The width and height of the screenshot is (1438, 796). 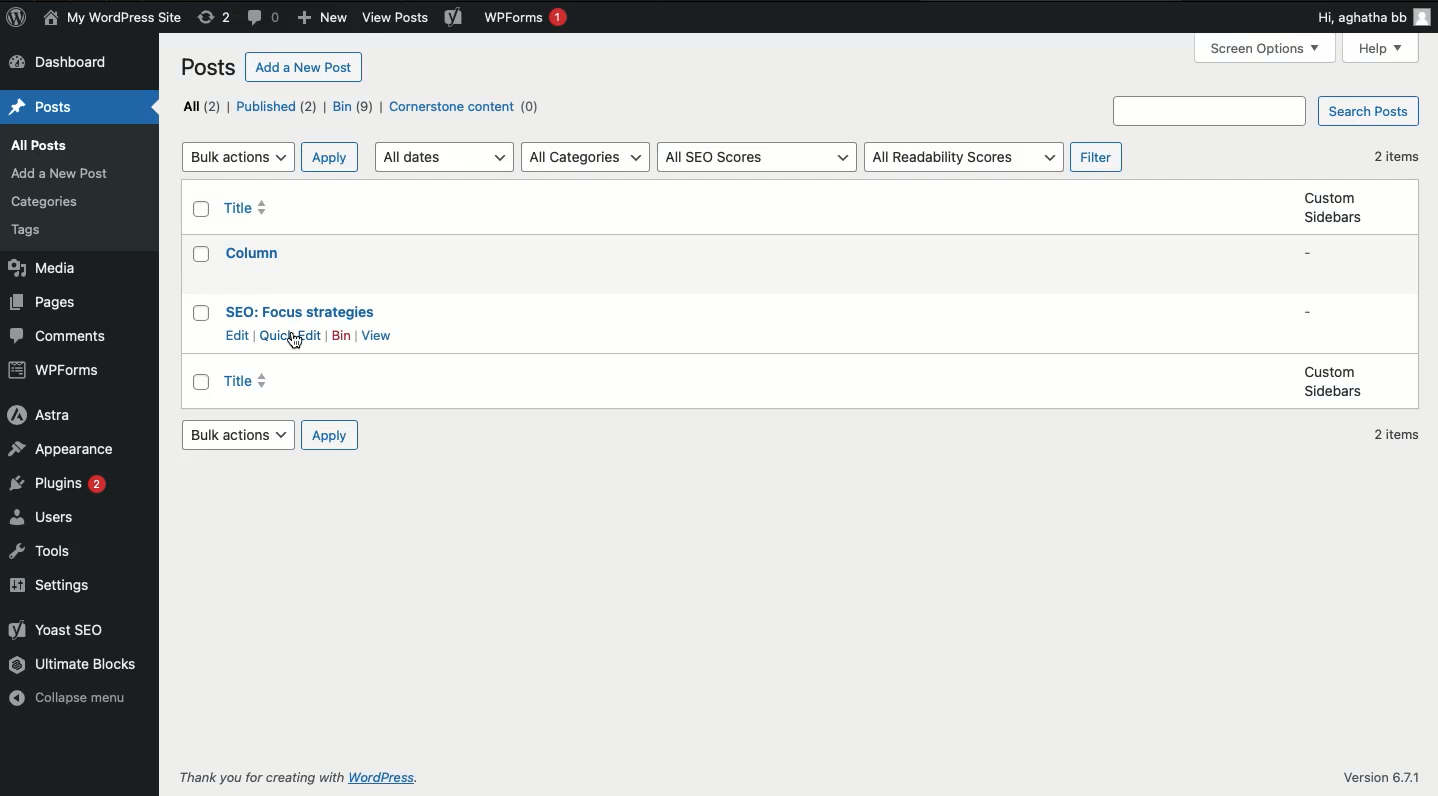 What do you see at coordinates (396, 18) in the screenshot?
I see `View posts` at bounding box center [396, 18].